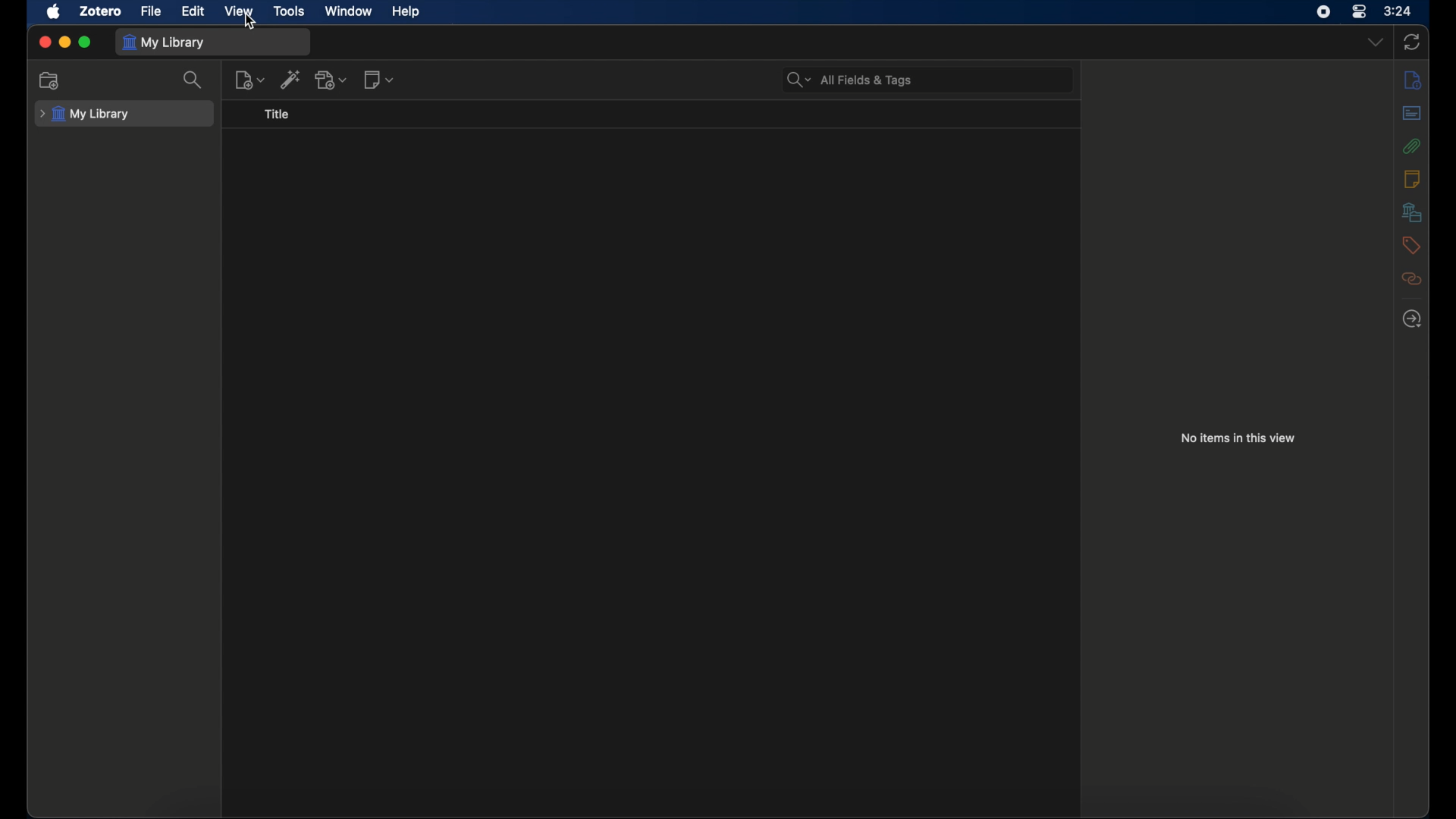 The image size is (1456, 819). What do you see at coordinates (193, 11) in the screenshot?
I see `edit` at bounding box center [193, 11].